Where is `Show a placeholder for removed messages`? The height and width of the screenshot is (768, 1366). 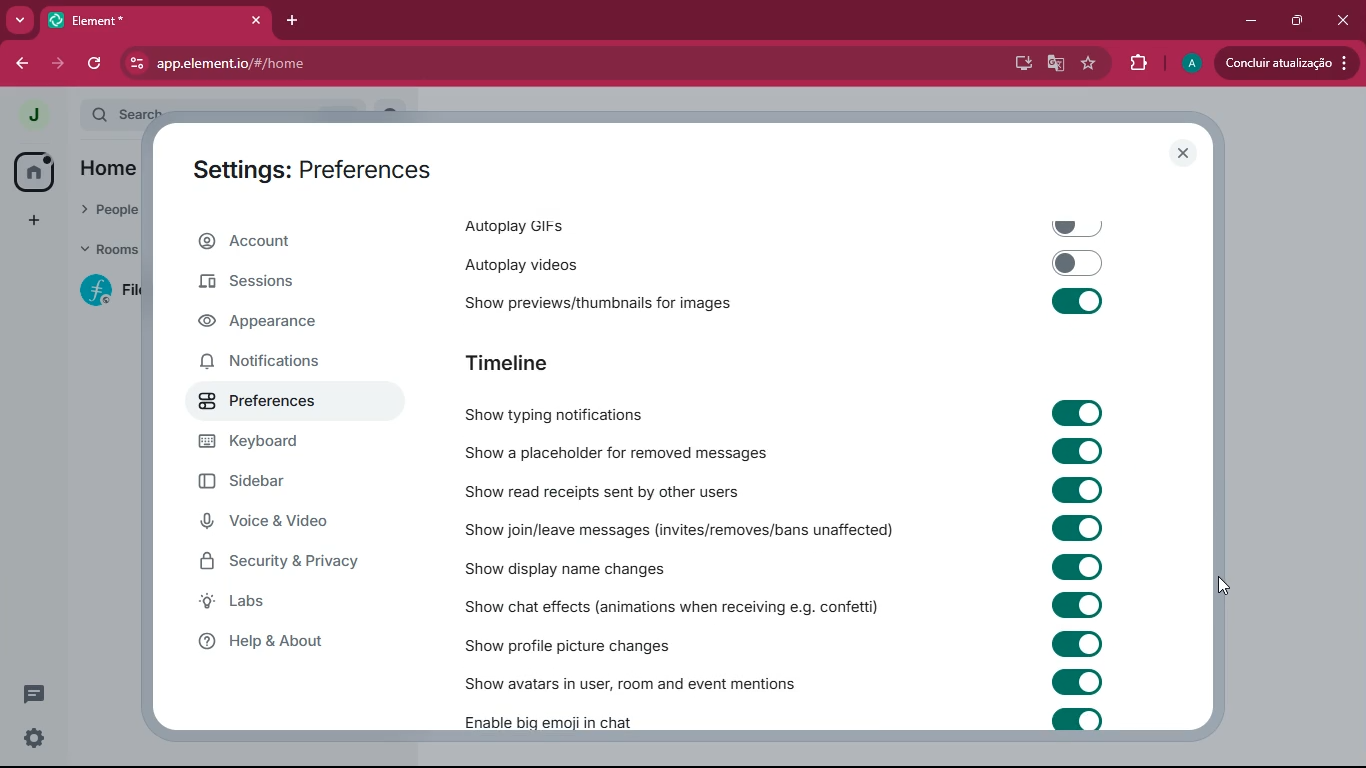 Show a placeholder for removed messages is located at coordinates (789, 452).